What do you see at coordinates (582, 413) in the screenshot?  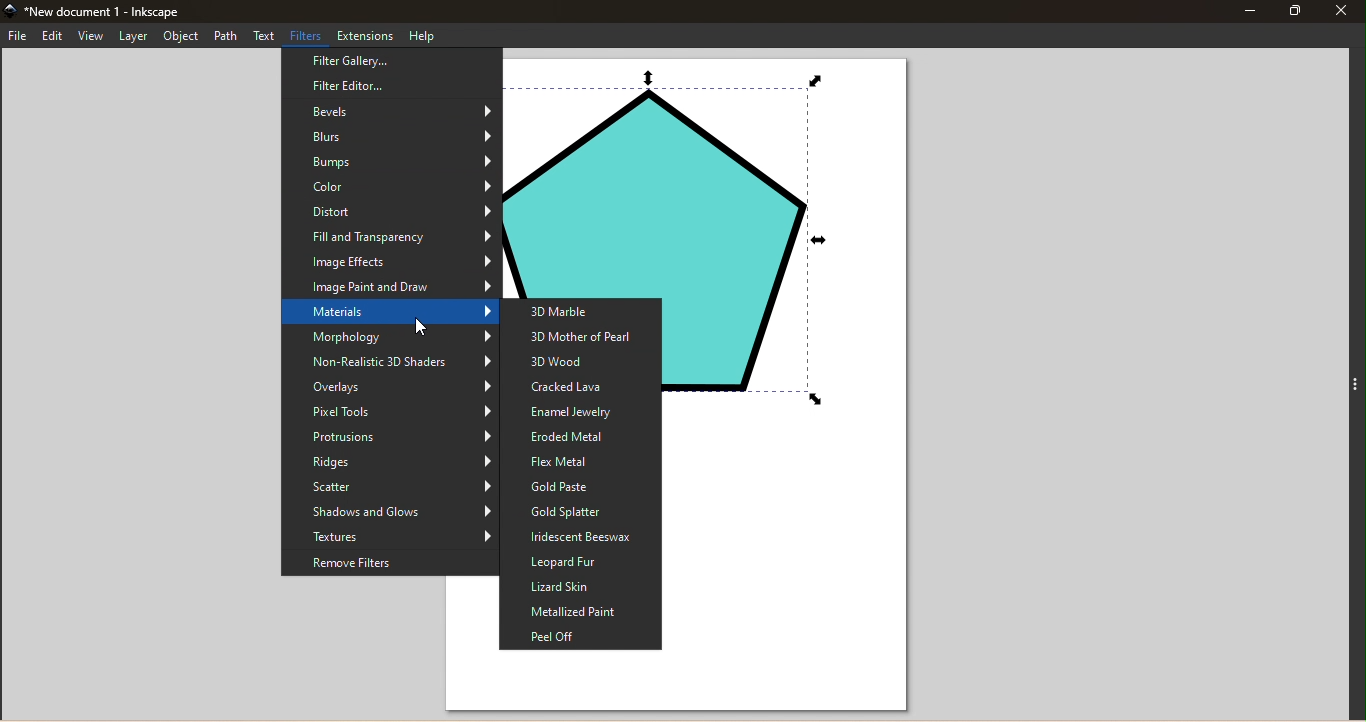 I see `Enamel Jewelry` at bounding box center [582, 413].